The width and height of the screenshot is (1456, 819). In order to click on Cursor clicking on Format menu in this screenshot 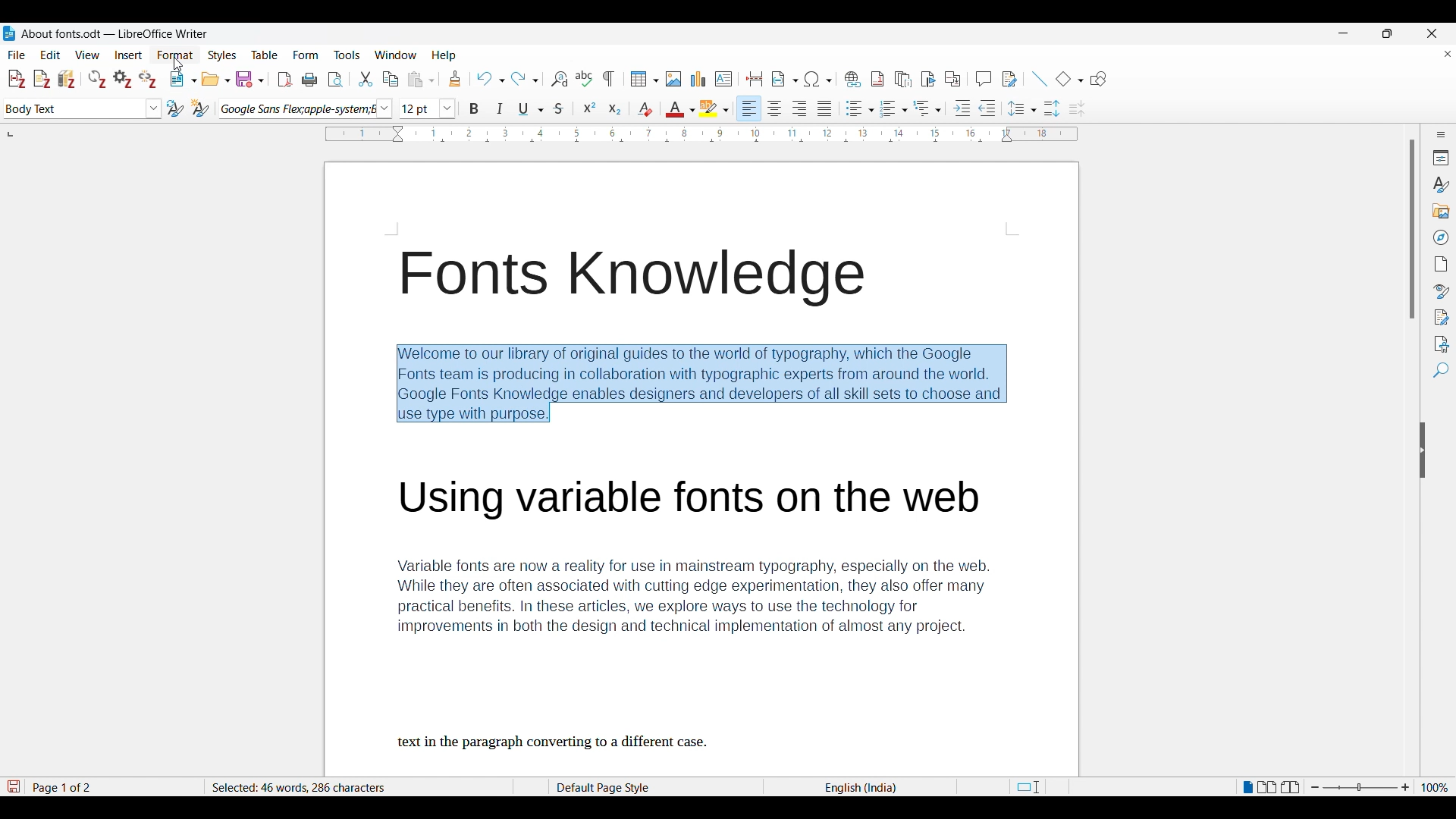, I will do `click(178, 64)`.